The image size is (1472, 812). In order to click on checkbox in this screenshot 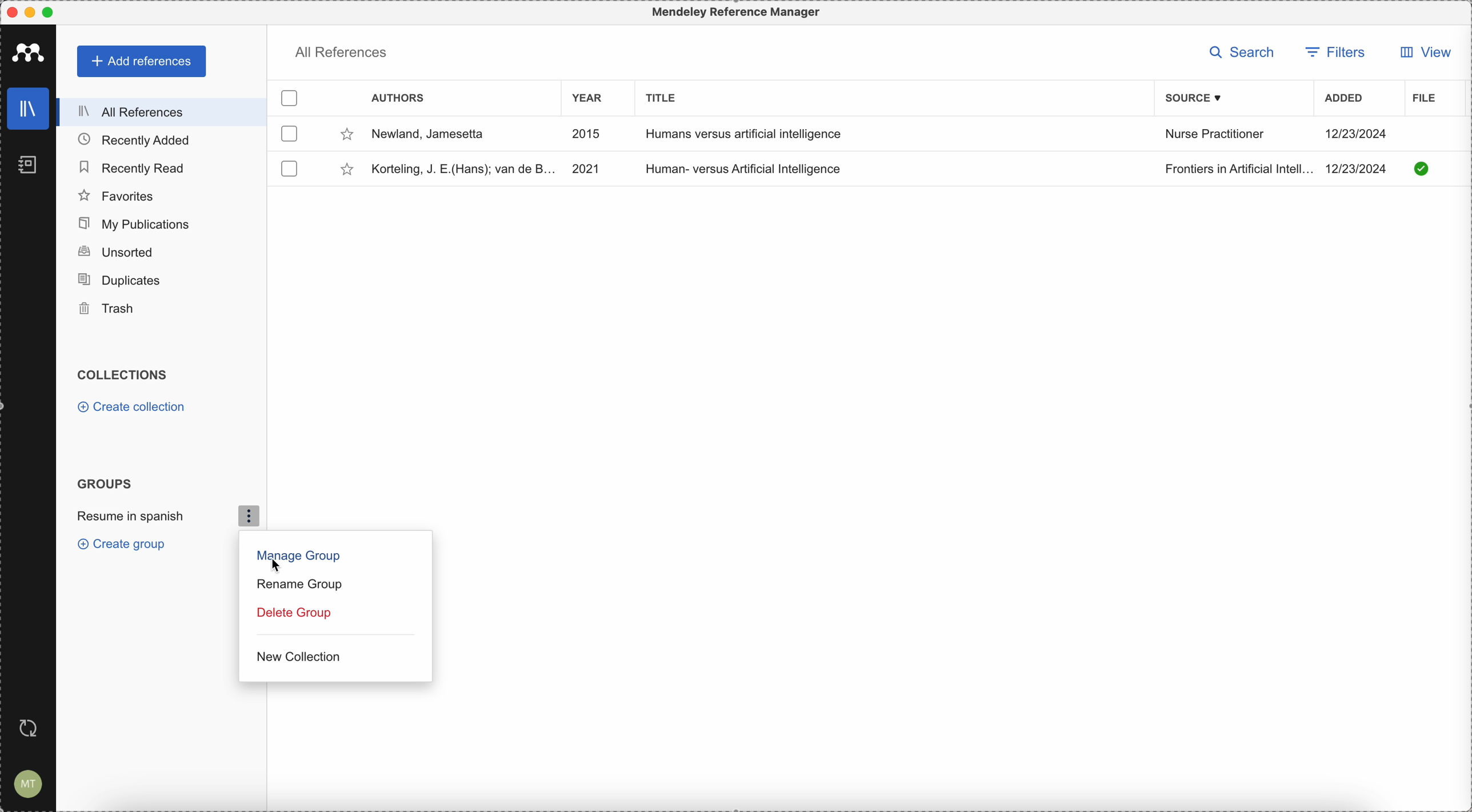, I will do `click(292, 166)`.